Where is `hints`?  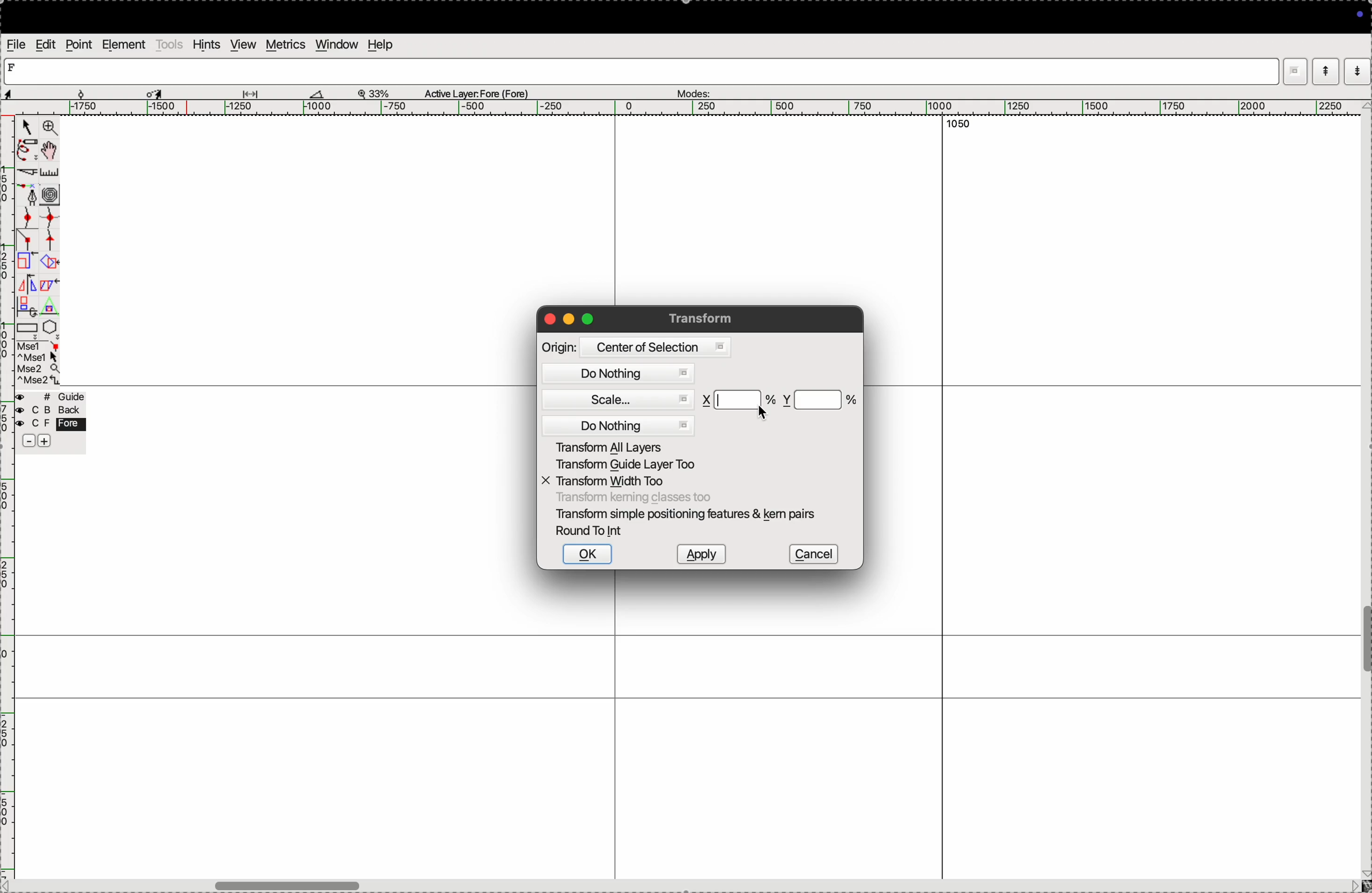
hints is located at coordinates (207, 44).